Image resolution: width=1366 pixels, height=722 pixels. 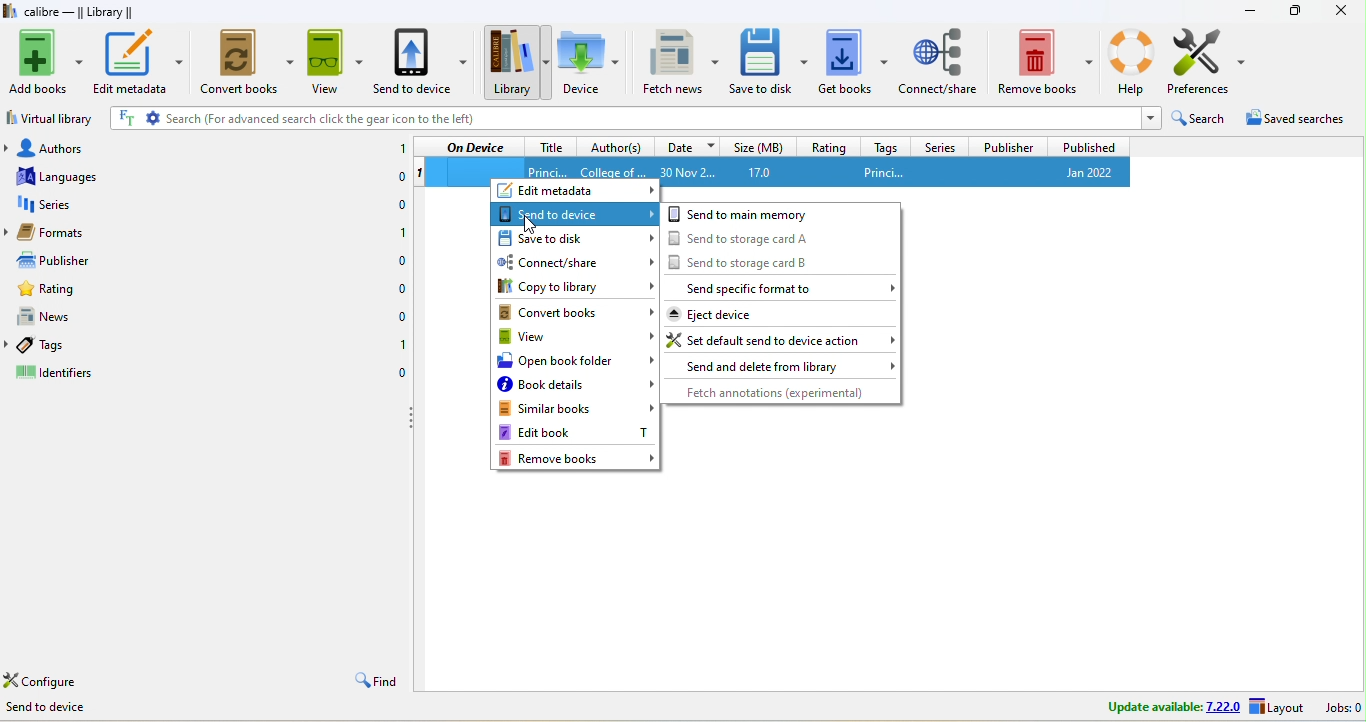 What do you see at coordinates (395, 206) in the screenshot?
I see `0` at bounding box center [395, 206].